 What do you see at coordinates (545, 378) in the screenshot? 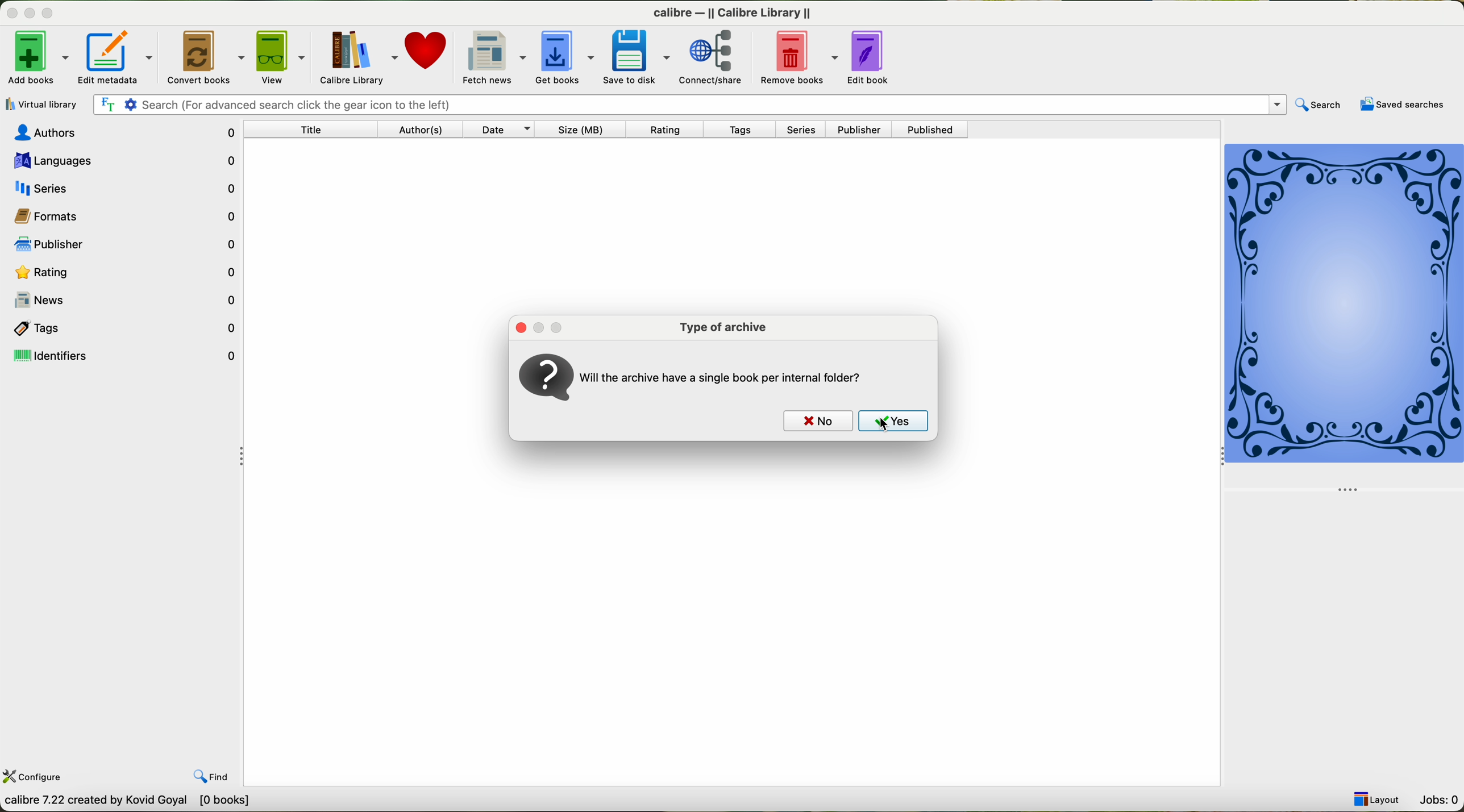
I see `icon` at bounding box center [545, 378].